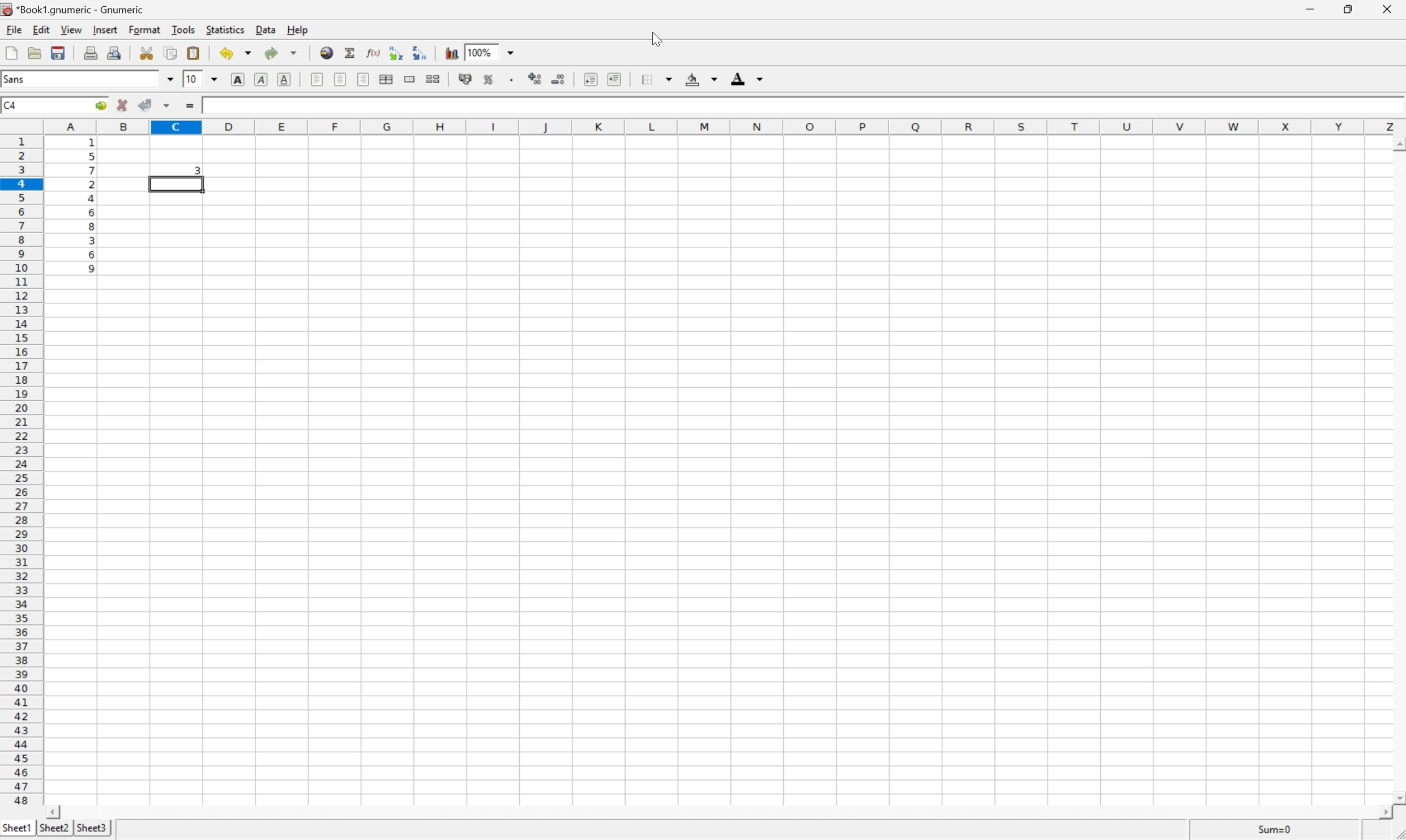 This screenshot has height=840, width=1406. What do you see at coordinates (365, 80) in the screenshot?
I see `align left` at bounding box center [365, 80].